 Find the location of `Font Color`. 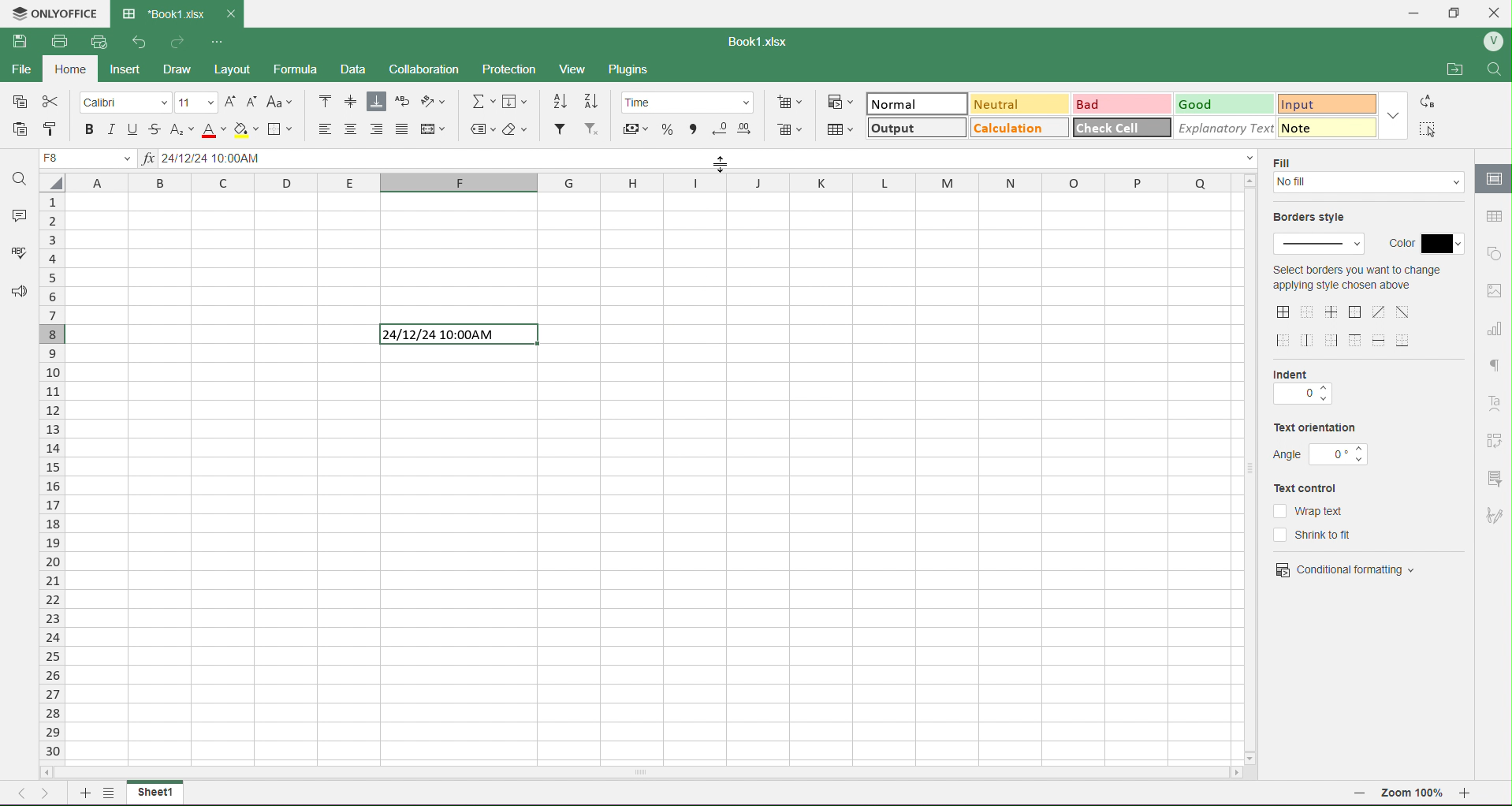

Font Color is located at coordinates (210, 129).